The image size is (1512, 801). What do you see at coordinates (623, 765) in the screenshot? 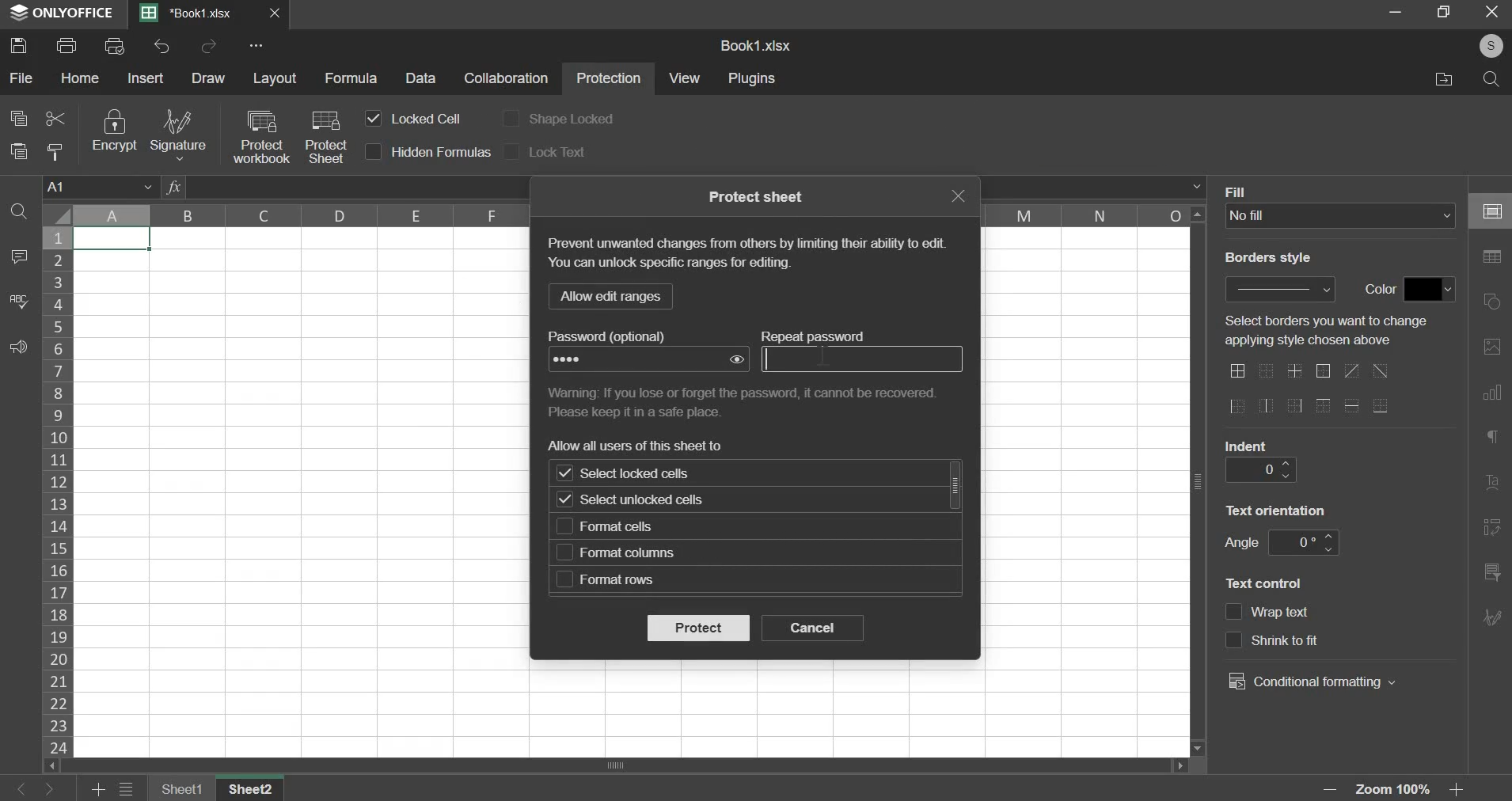
I see `scrollbar` at bounding box center [623, 765].